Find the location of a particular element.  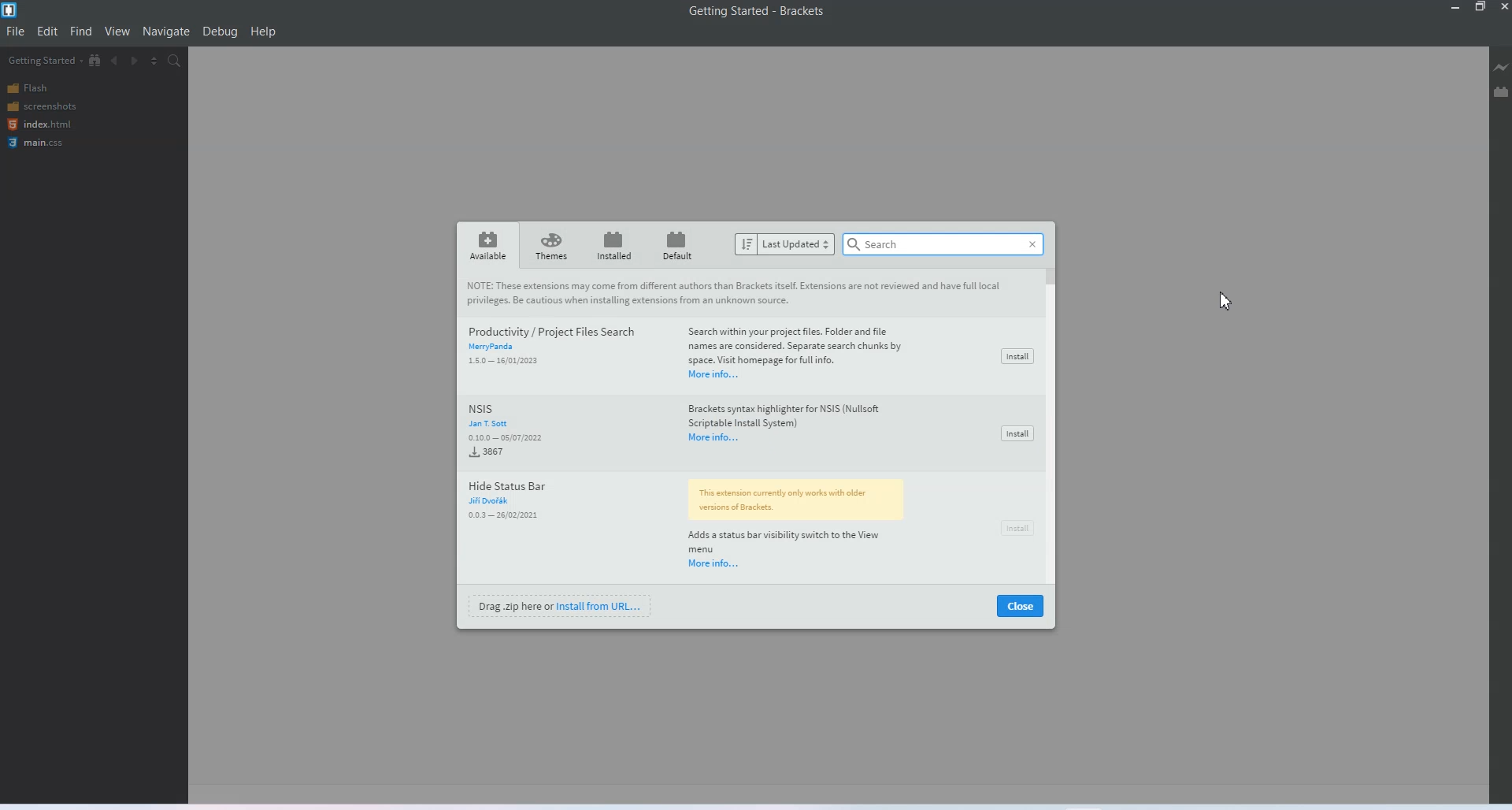

Themes is located at coordinates (550, 245).